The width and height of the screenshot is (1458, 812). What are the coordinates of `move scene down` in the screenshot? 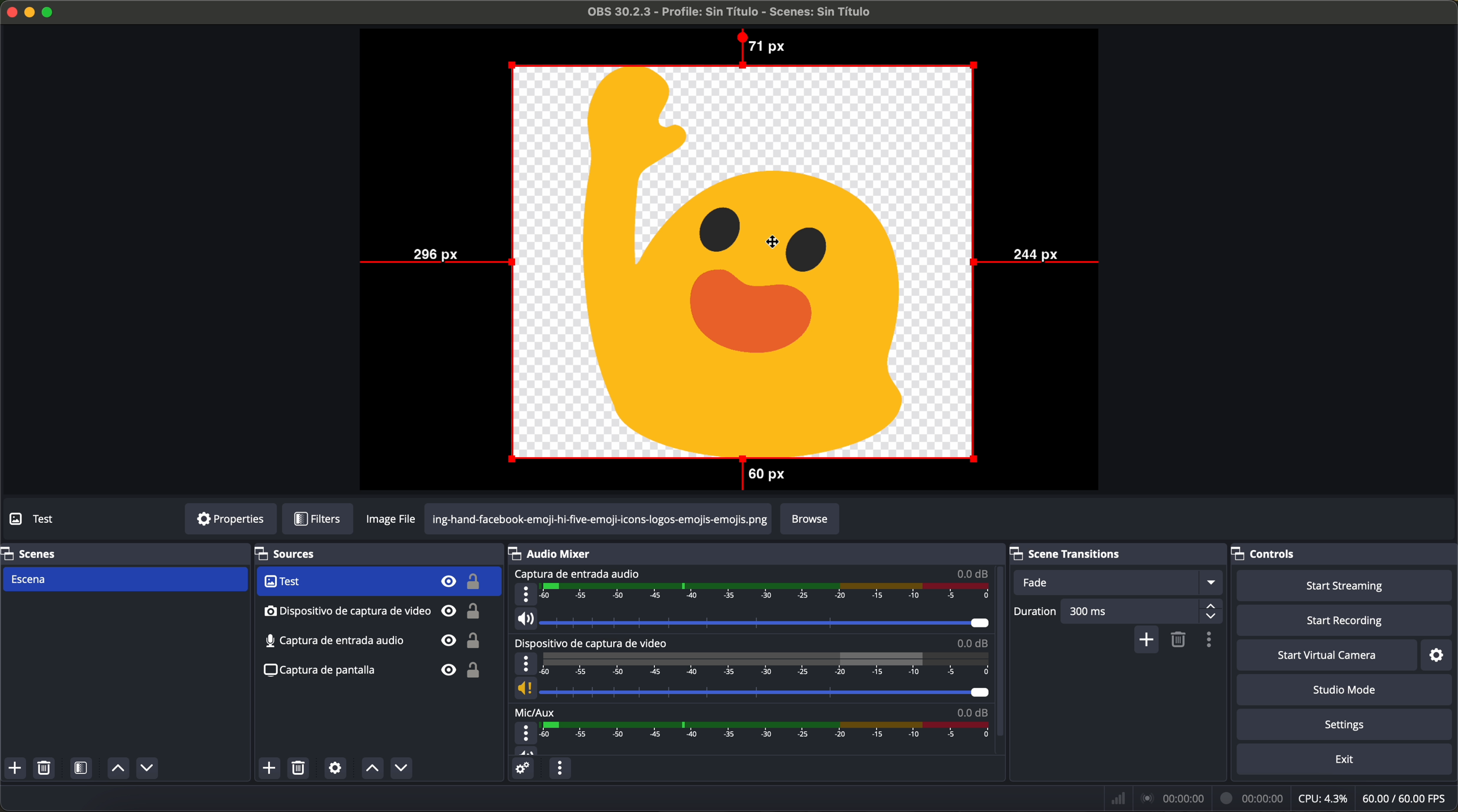 It's located at (147, 770).